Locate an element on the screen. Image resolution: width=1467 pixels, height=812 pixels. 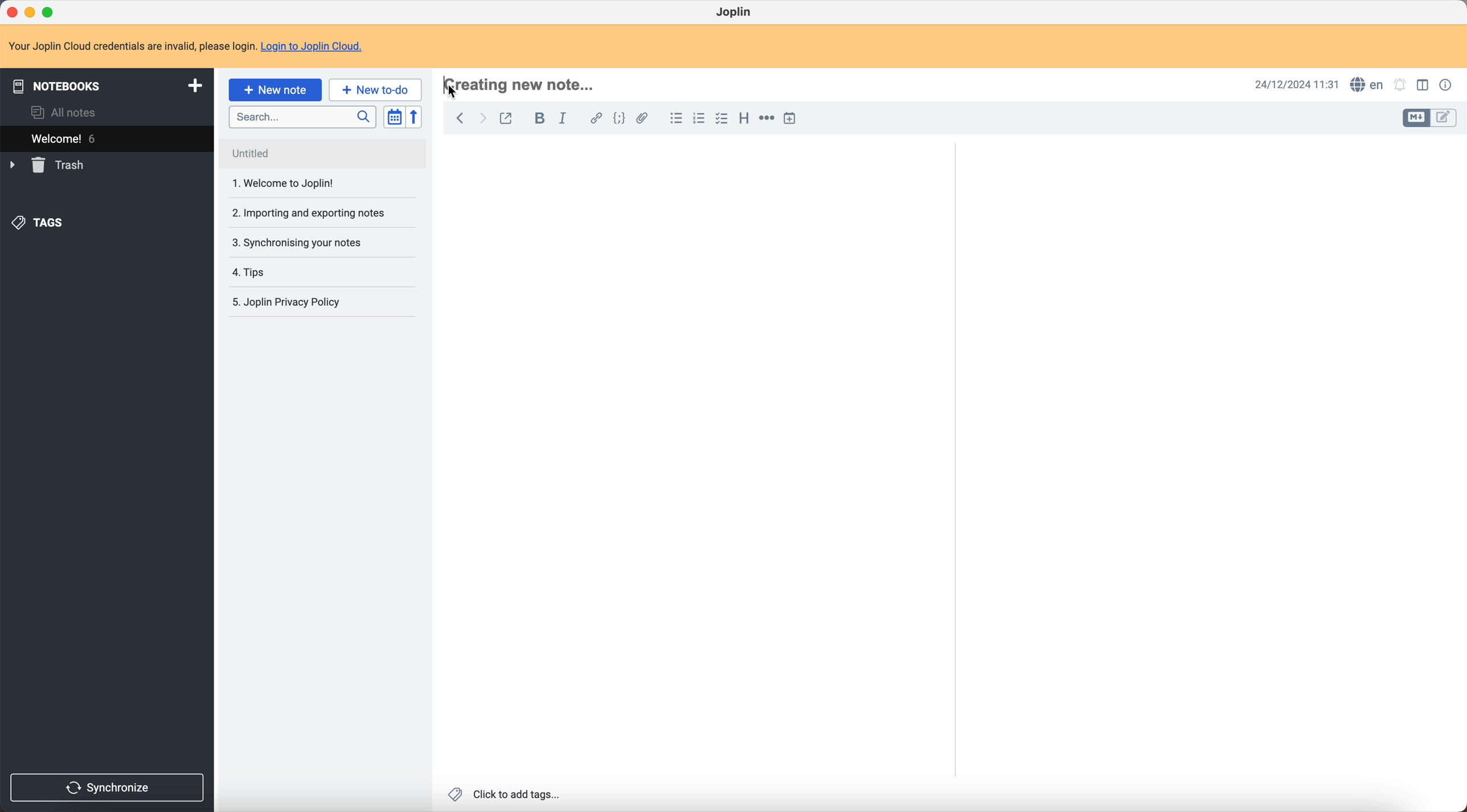
back is located at coordinates (460, 117).